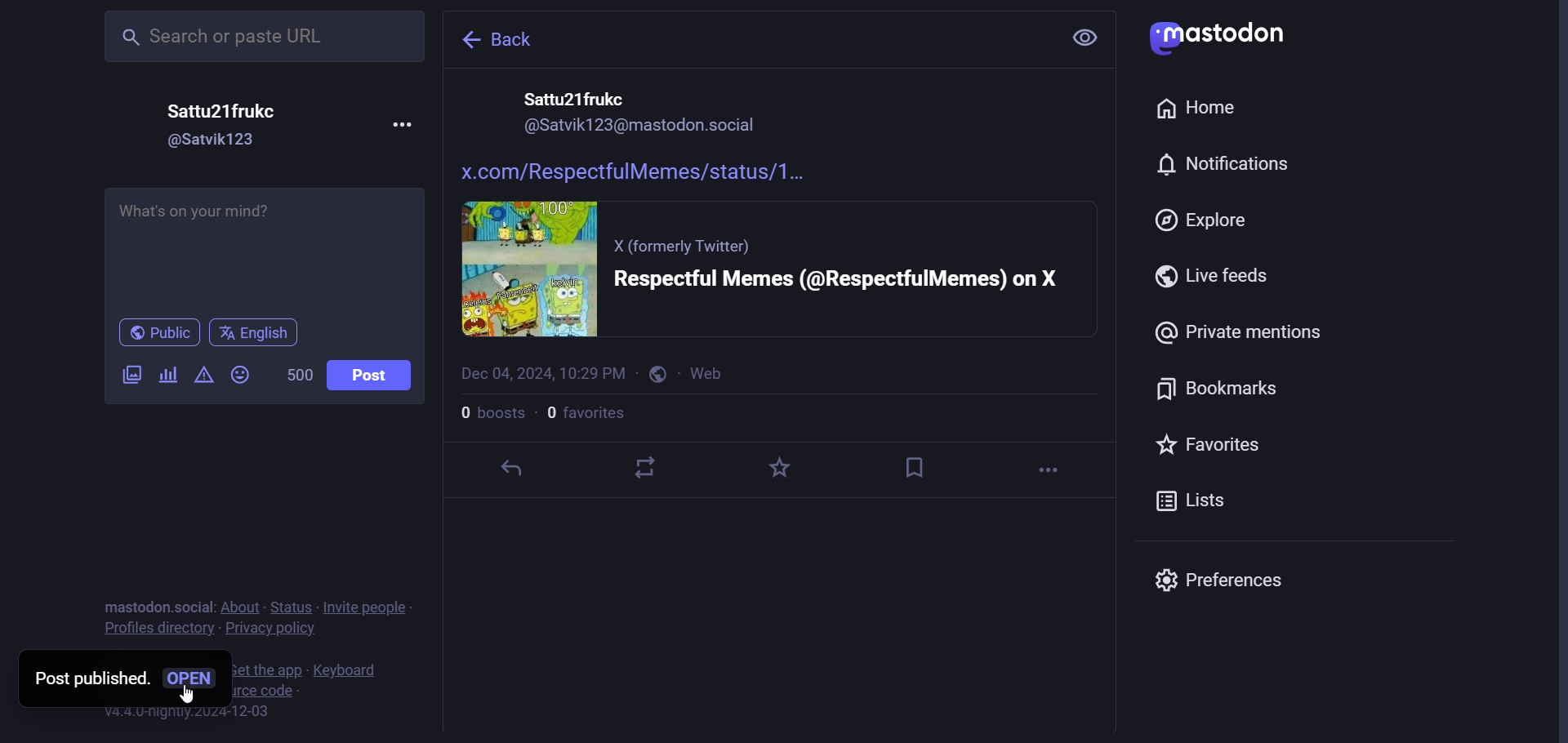 The height and width of the screenshot is (743, 1568). What do you see at coordinates (1218, 389) in the screenshot?
I see `bookmarks` at bounding box center [1218, 389].